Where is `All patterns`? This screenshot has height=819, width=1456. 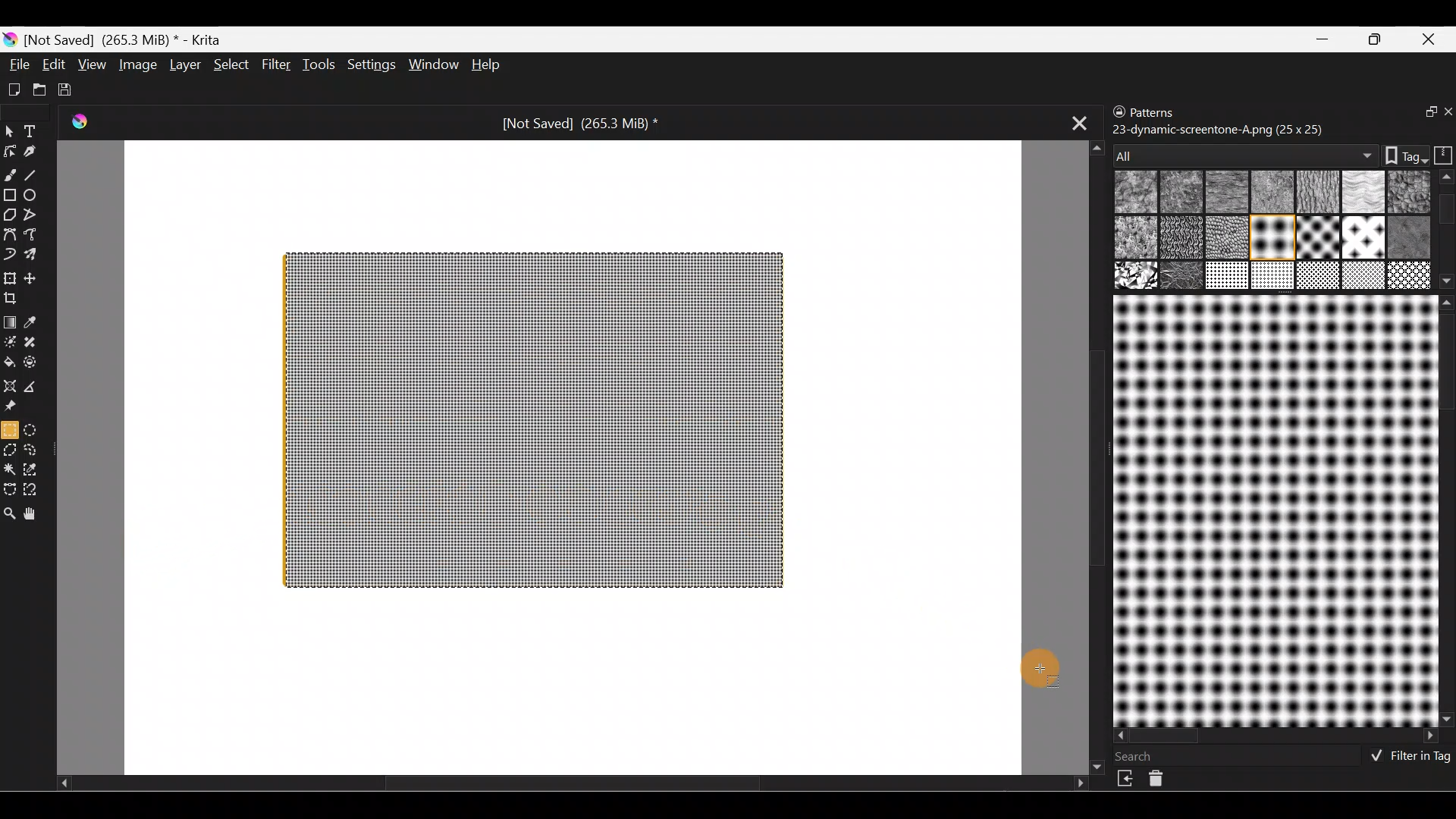 All patterns is located at coordinates (1241, 151).